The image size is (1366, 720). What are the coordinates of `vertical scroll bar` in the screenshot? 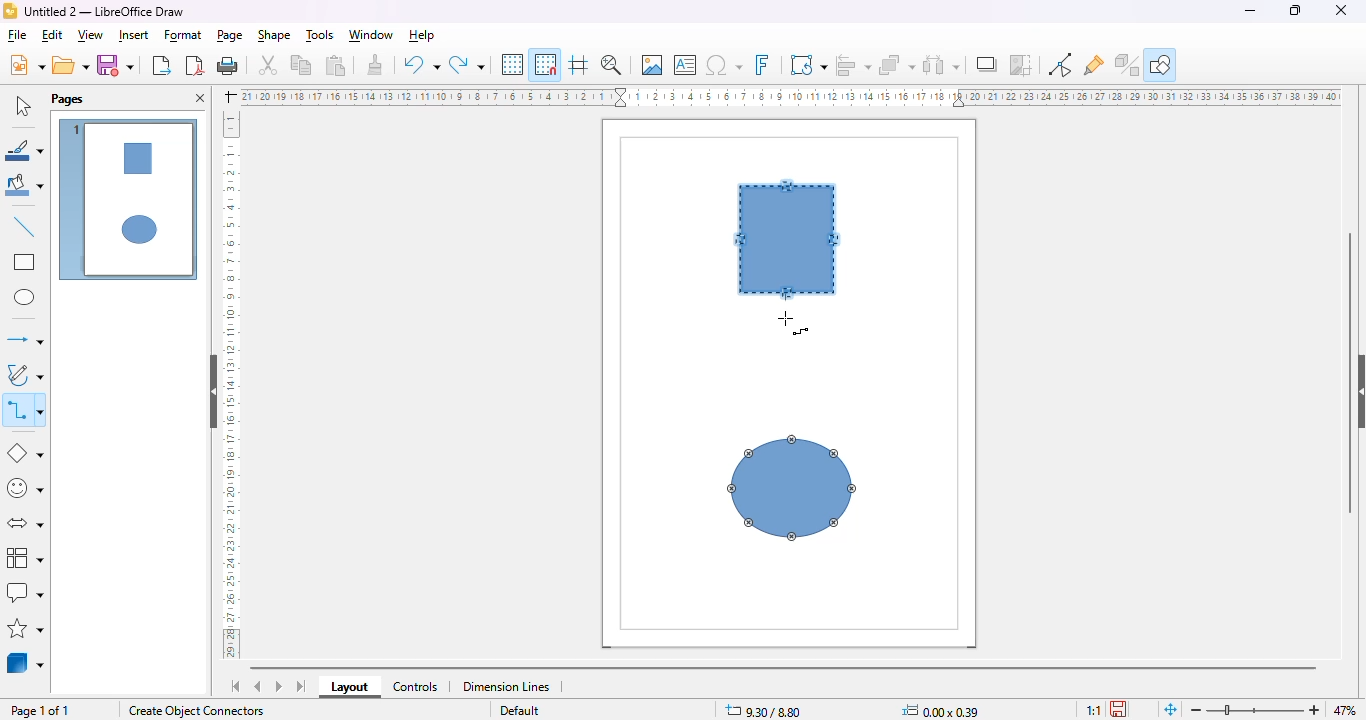 It's located at (1349, 373).